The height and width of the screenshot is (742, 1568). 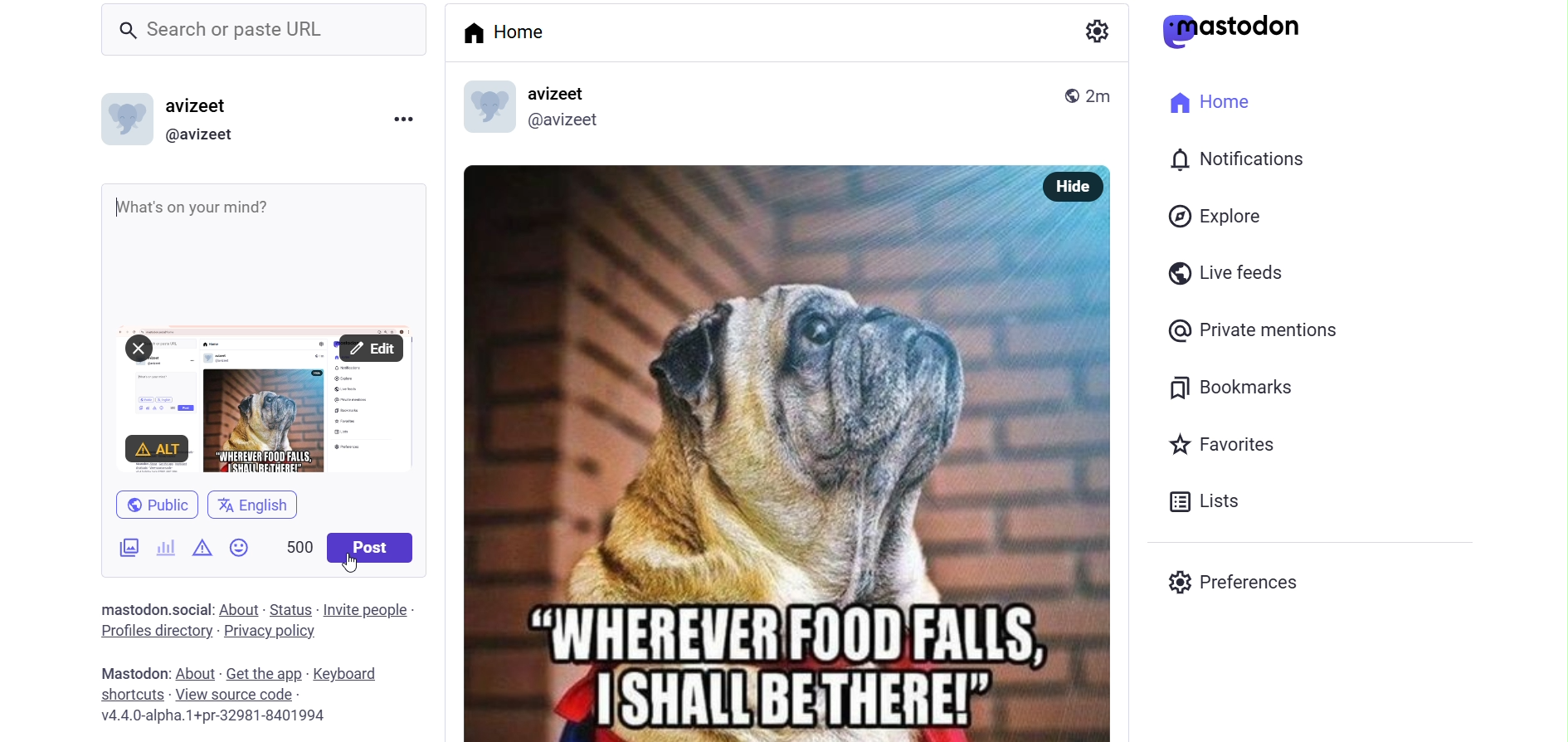 I want to click on Attached Screenshot, so click(x=253, y=397).